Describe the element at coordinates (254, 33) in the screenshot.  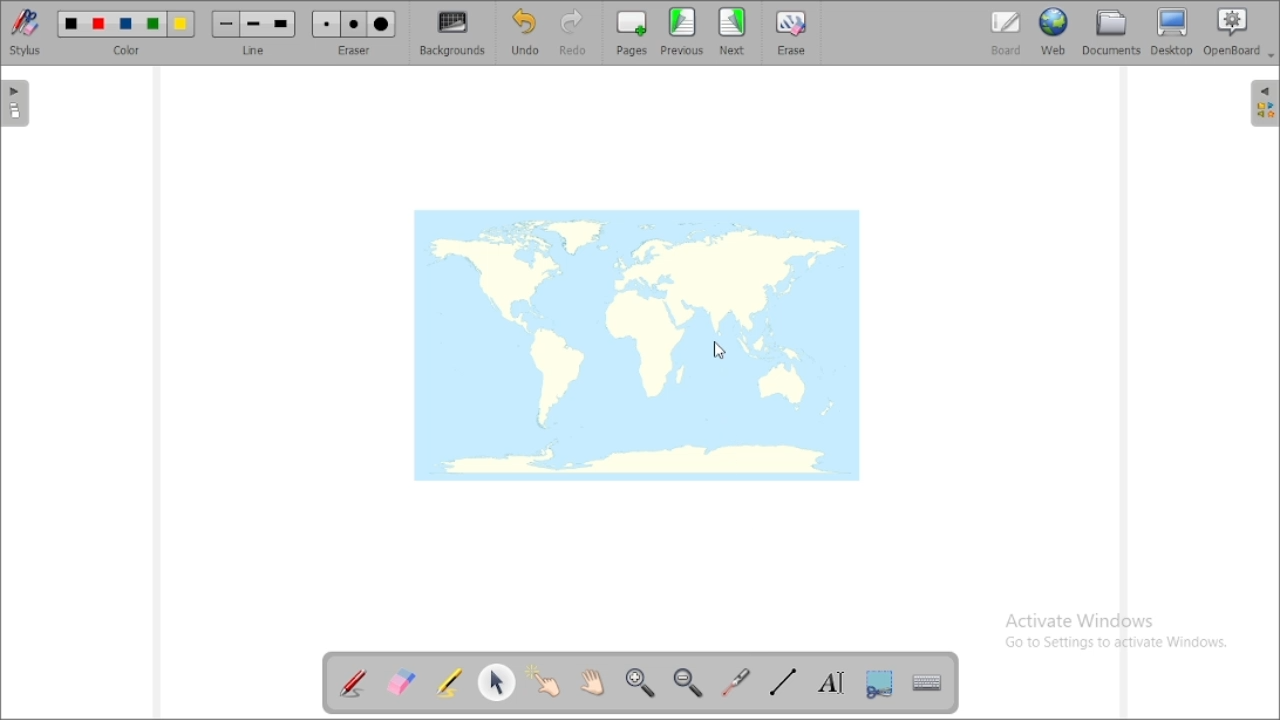
I see `line` at that location.